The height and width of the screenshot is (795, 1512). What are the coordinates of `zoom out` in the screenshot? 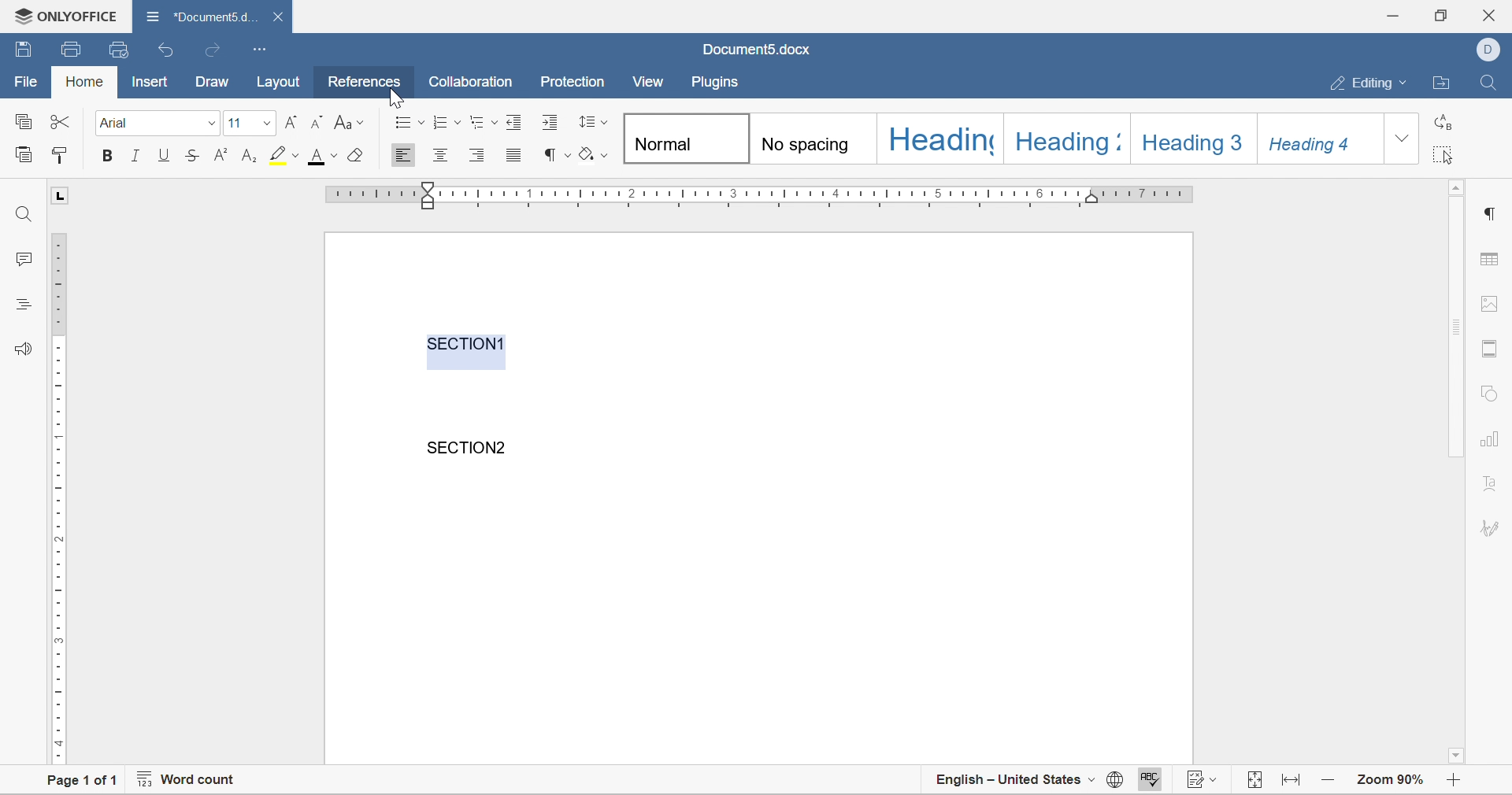 It's located at (1458, 782).